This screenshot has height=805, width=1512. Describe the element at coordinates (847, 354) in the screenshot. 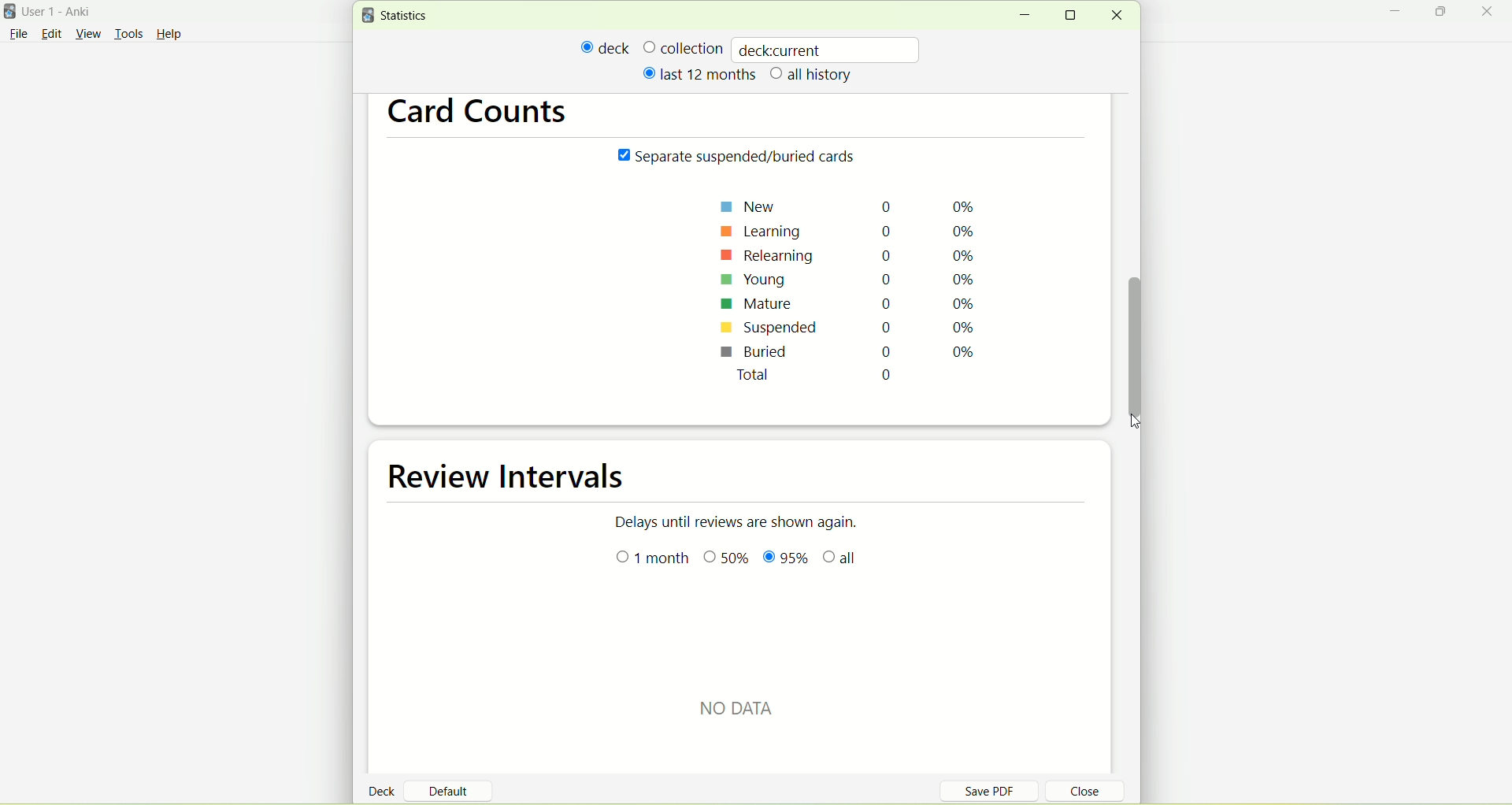

I see `buried 0 0%` at that location.